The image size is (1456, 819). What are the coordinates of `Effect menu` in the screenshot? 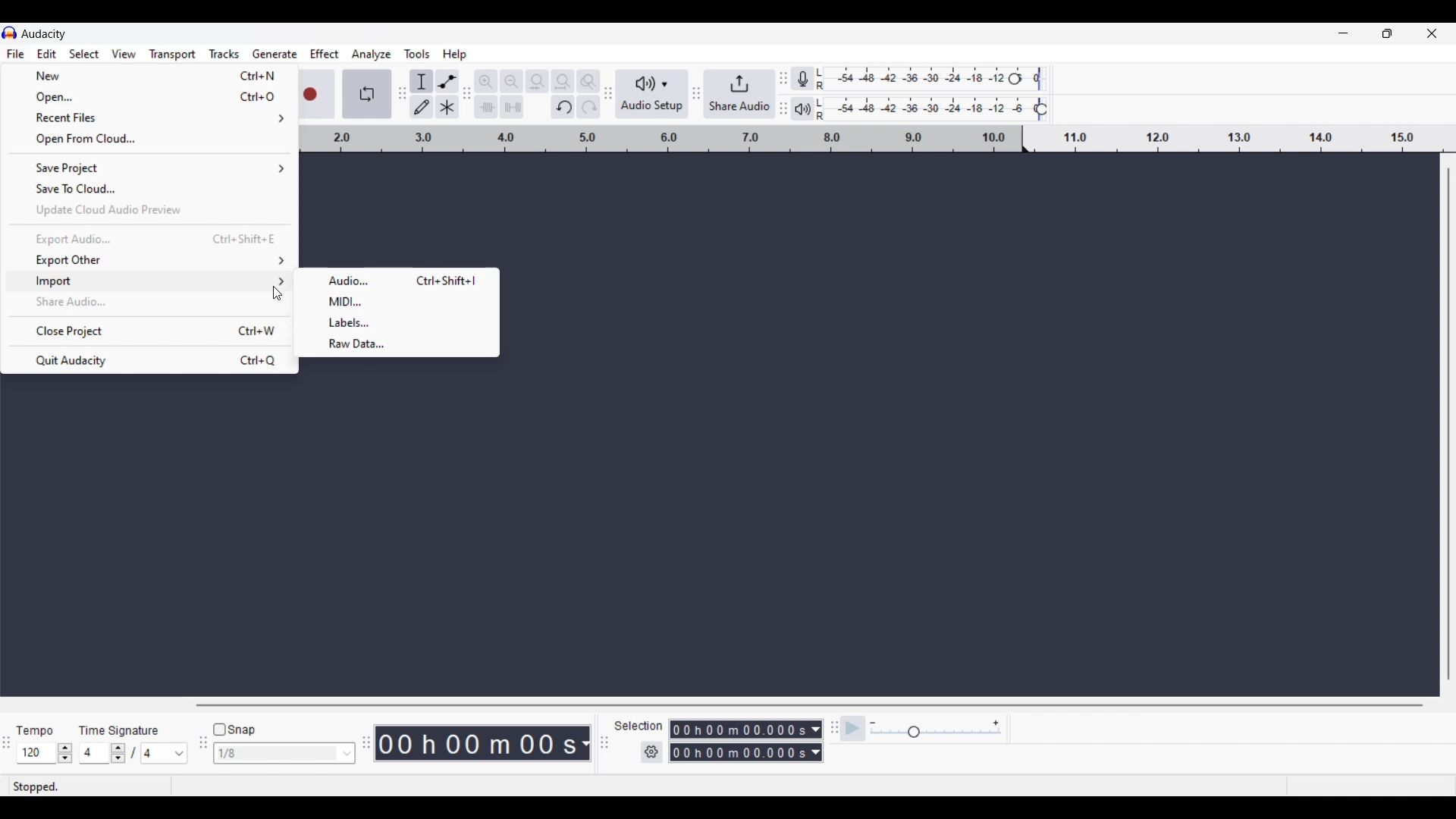 It's located at (325, 54).